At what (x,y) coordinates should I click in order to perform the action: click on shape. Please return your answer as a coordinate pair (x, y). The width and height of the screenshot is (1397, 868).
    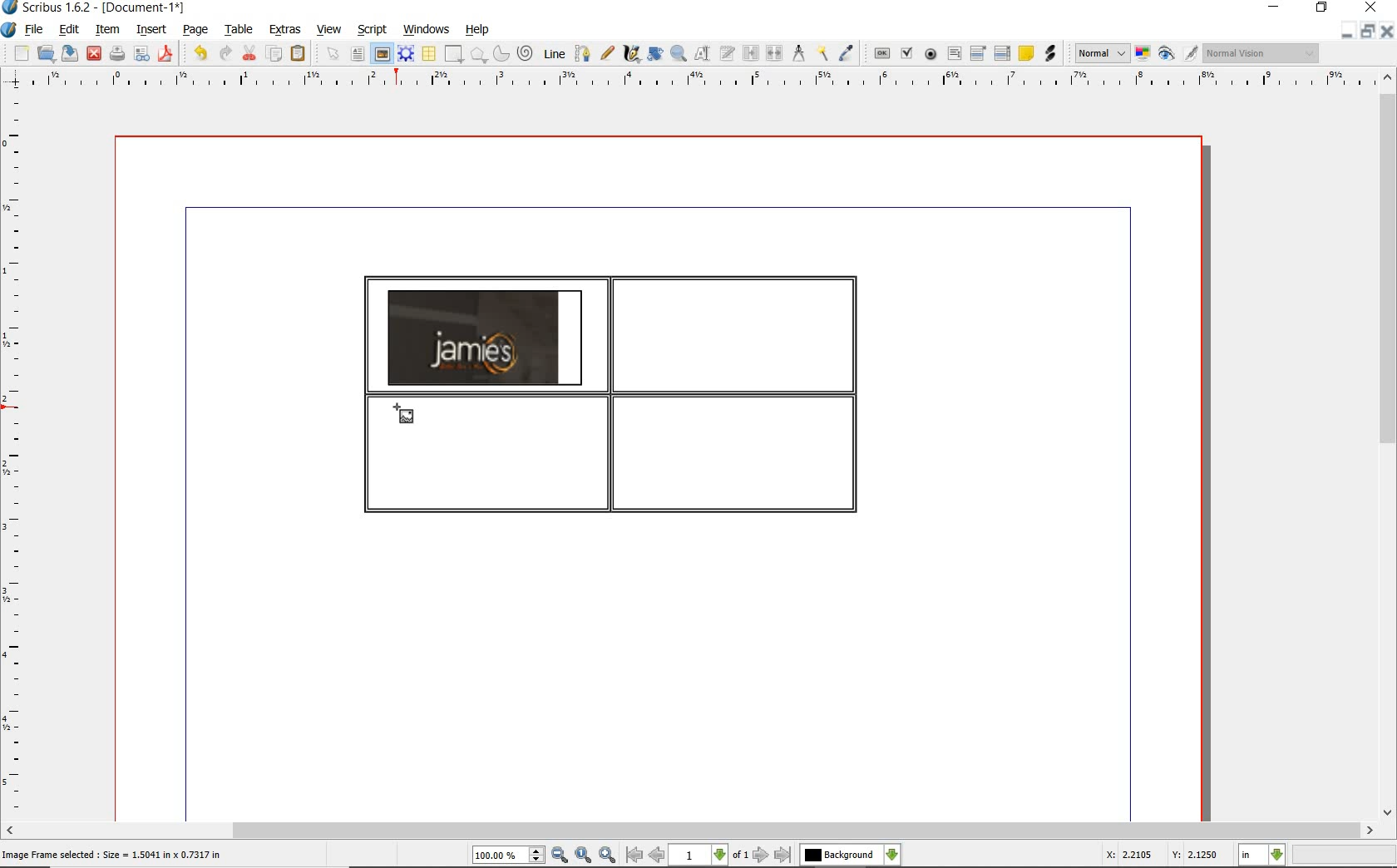
    Looking at the image, I should click on (452, 55).